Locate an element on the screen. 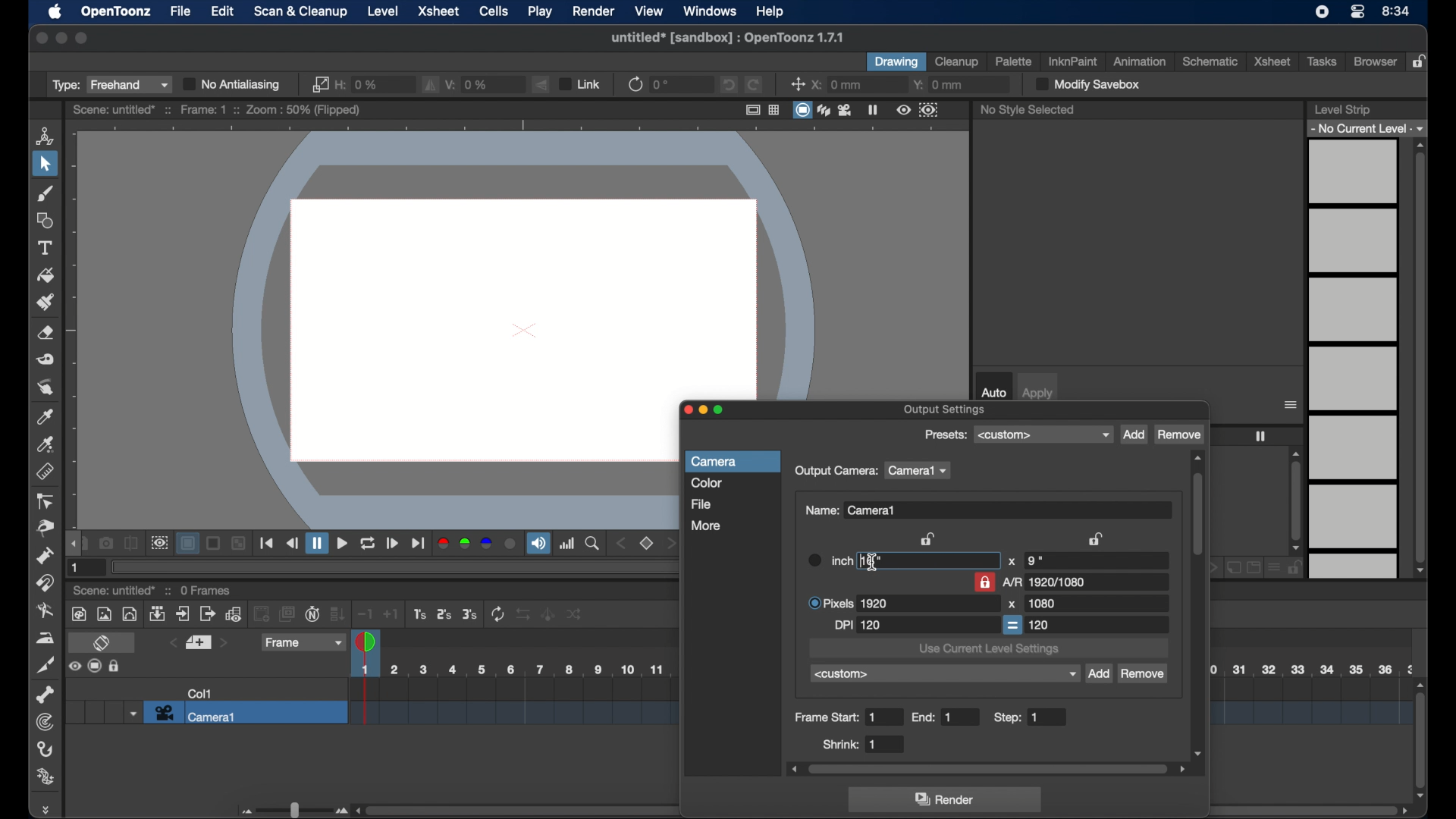  set is located at coordinates (197, 643).